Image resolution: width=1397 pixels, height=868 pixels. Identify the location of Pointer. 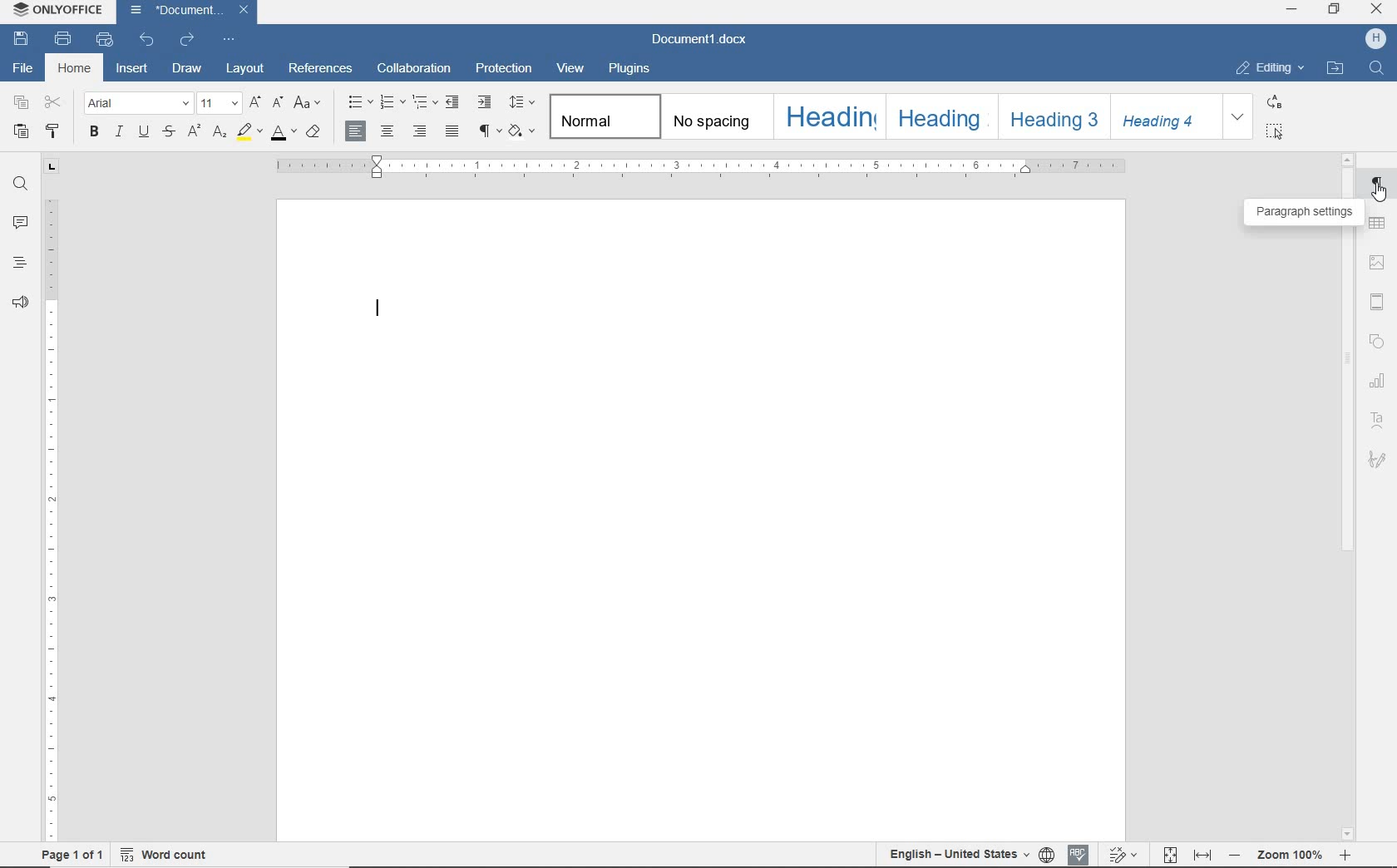
(1378, 197).